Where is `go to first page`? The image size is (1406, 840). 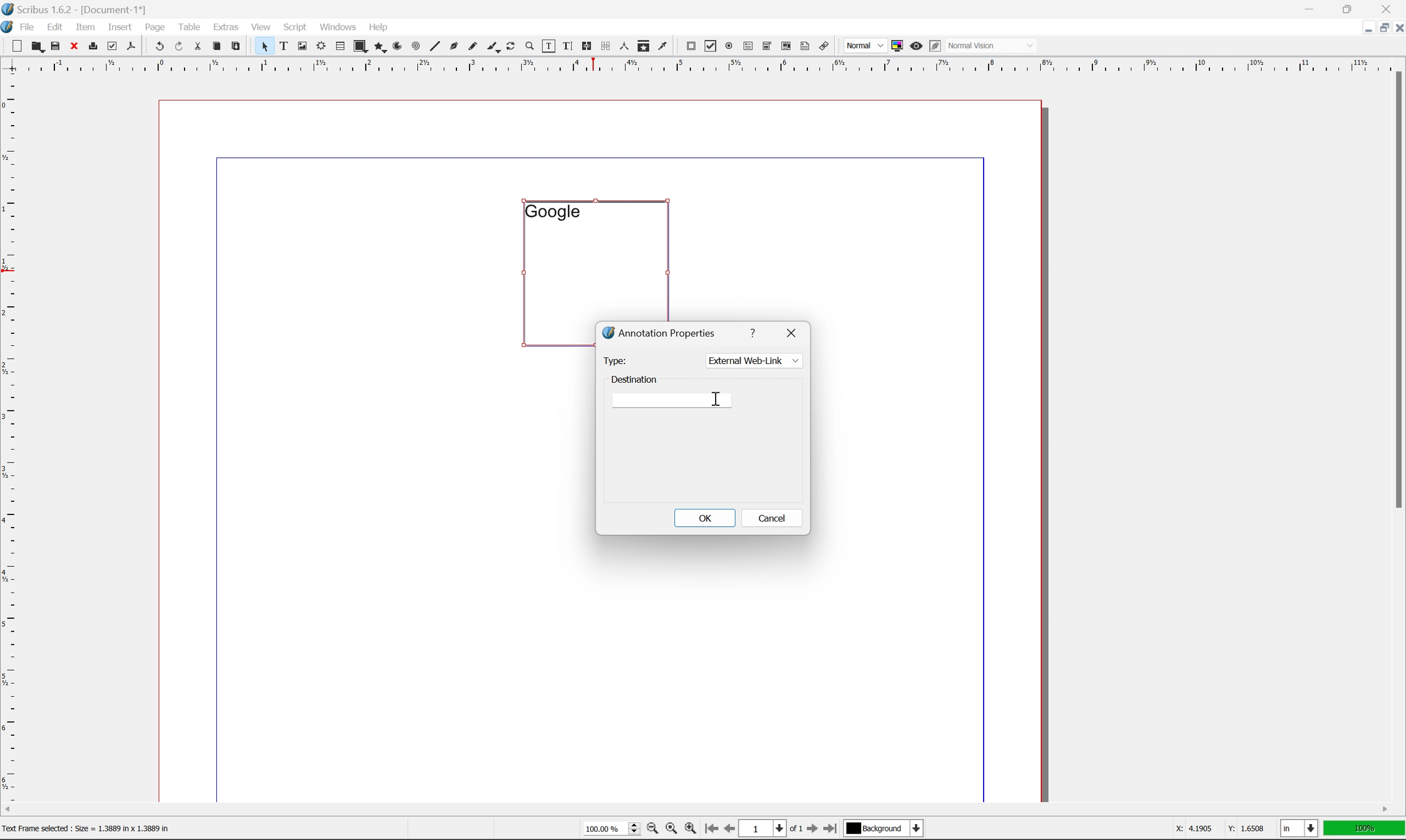 go to first page is located at coordinates (710, 829).